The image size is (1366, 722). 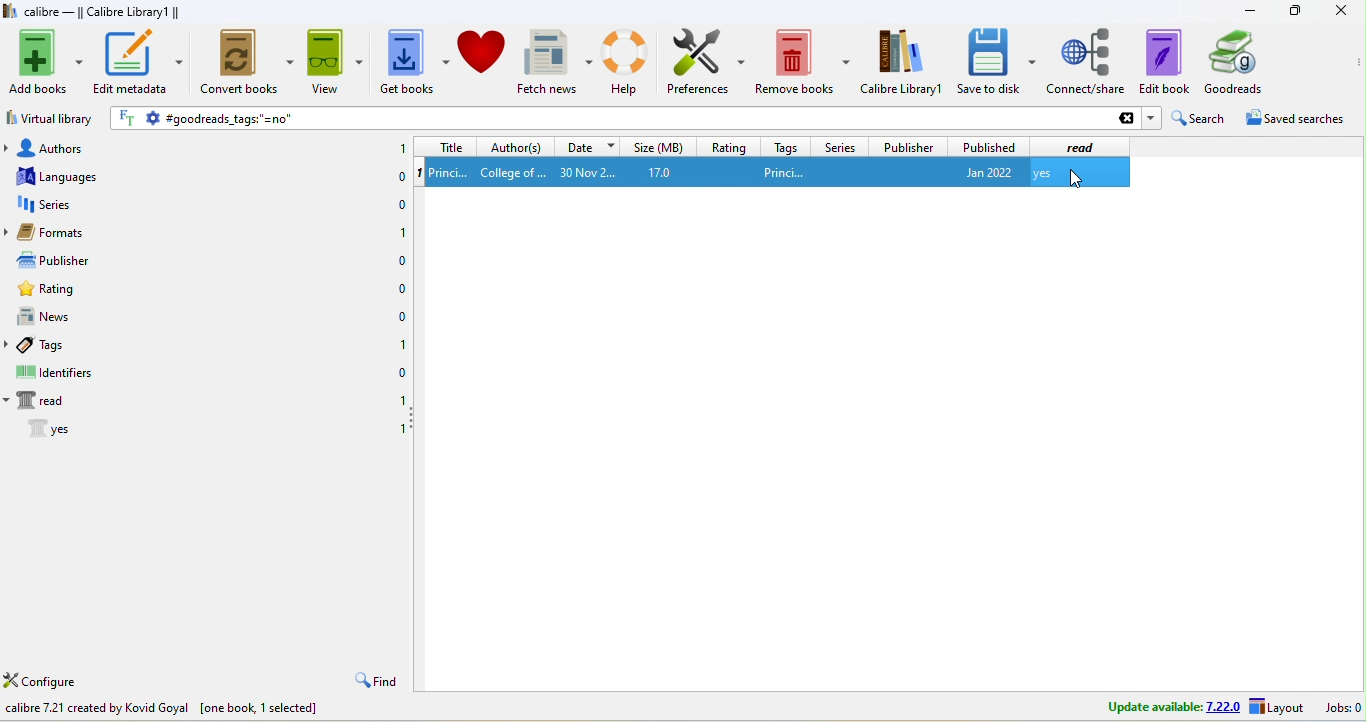 I want to click on settings, so click(x=152, y=119).